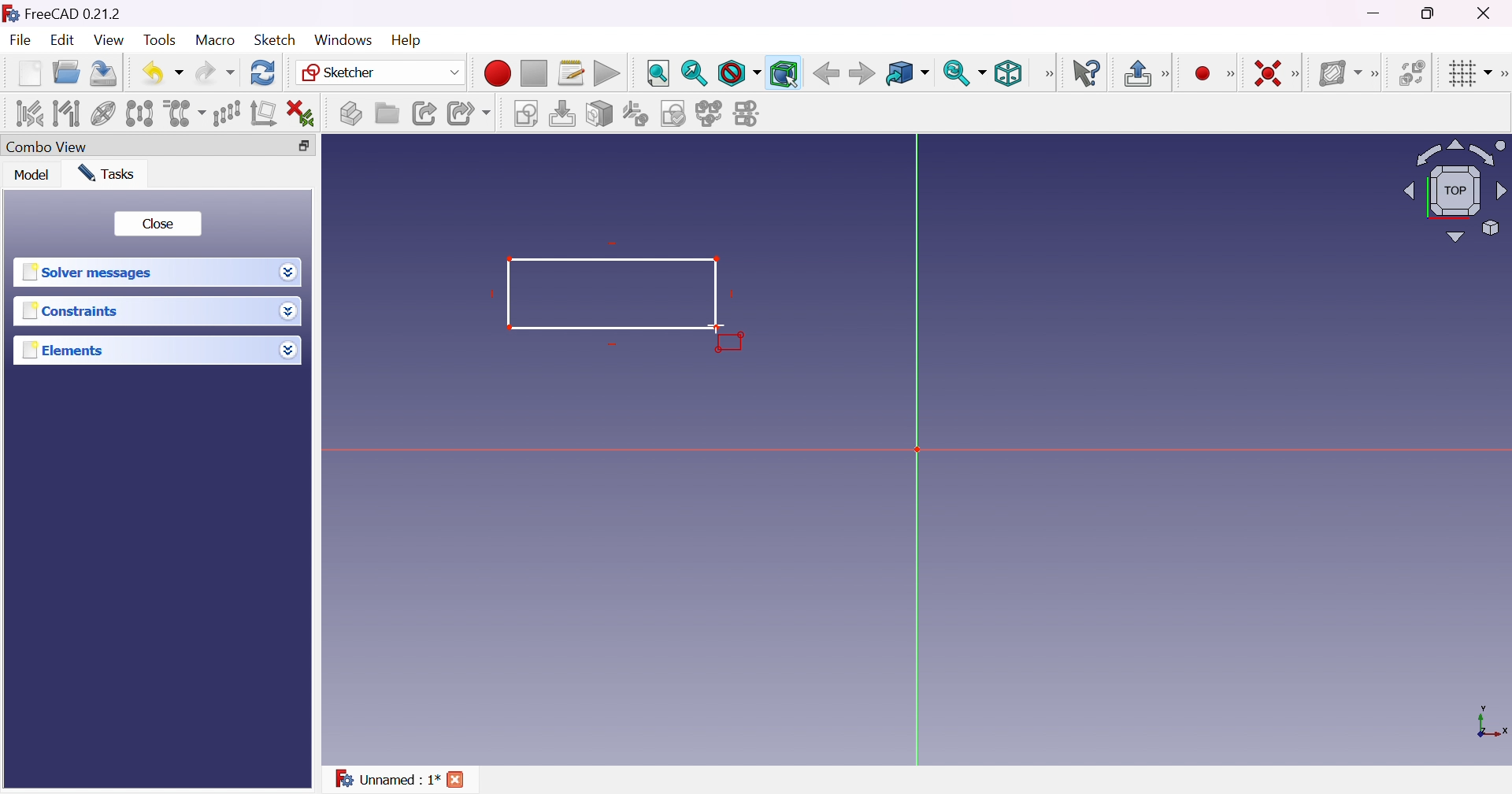  What do you see at coordinates (611, 290) in the screenshot?
I see `2d rectangle` at bounding box center [611, 290].